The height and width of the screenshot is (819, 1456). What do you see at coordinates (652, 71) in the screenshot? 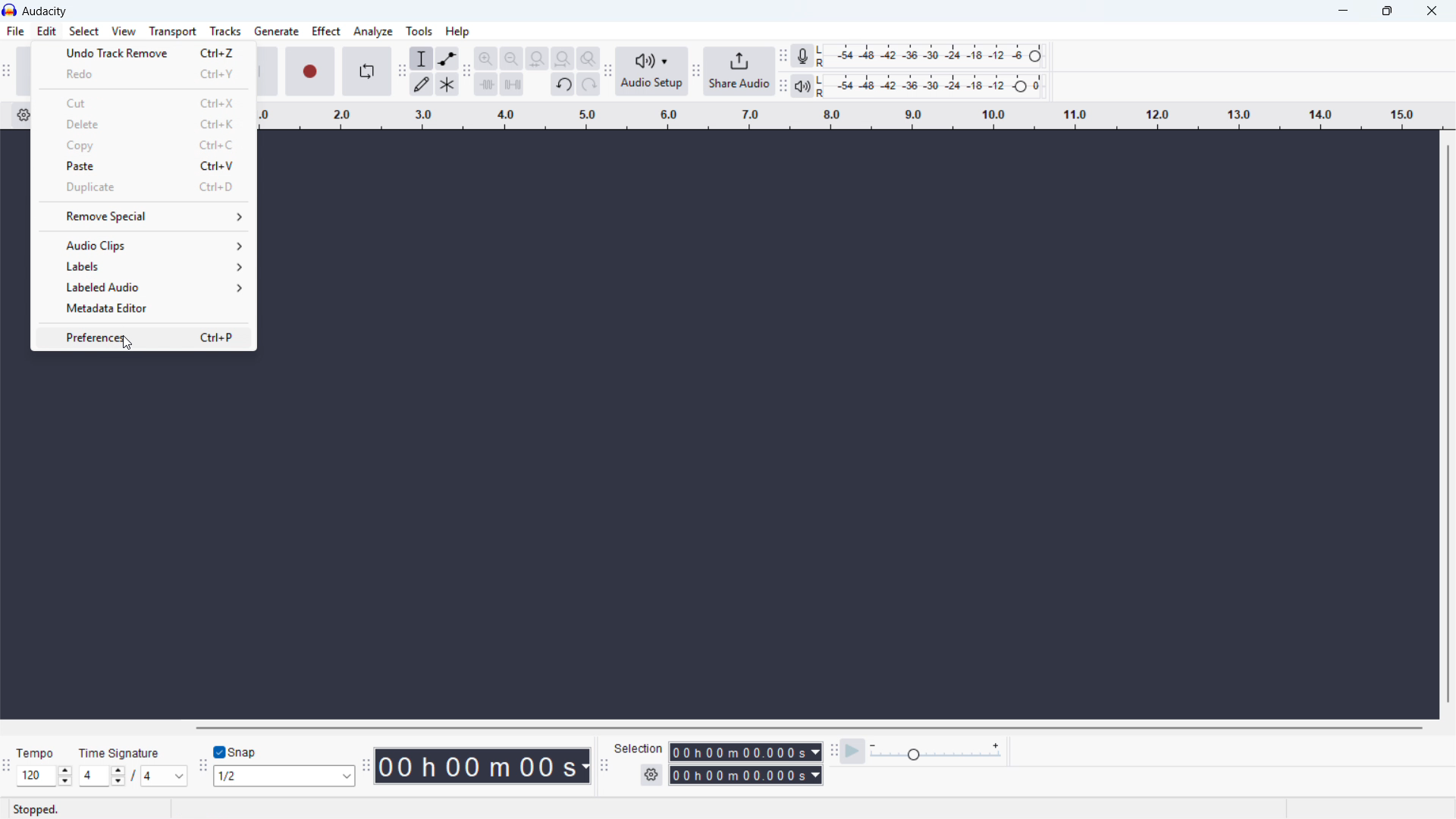
I see `audio setup` at bounding box center [652, 71].